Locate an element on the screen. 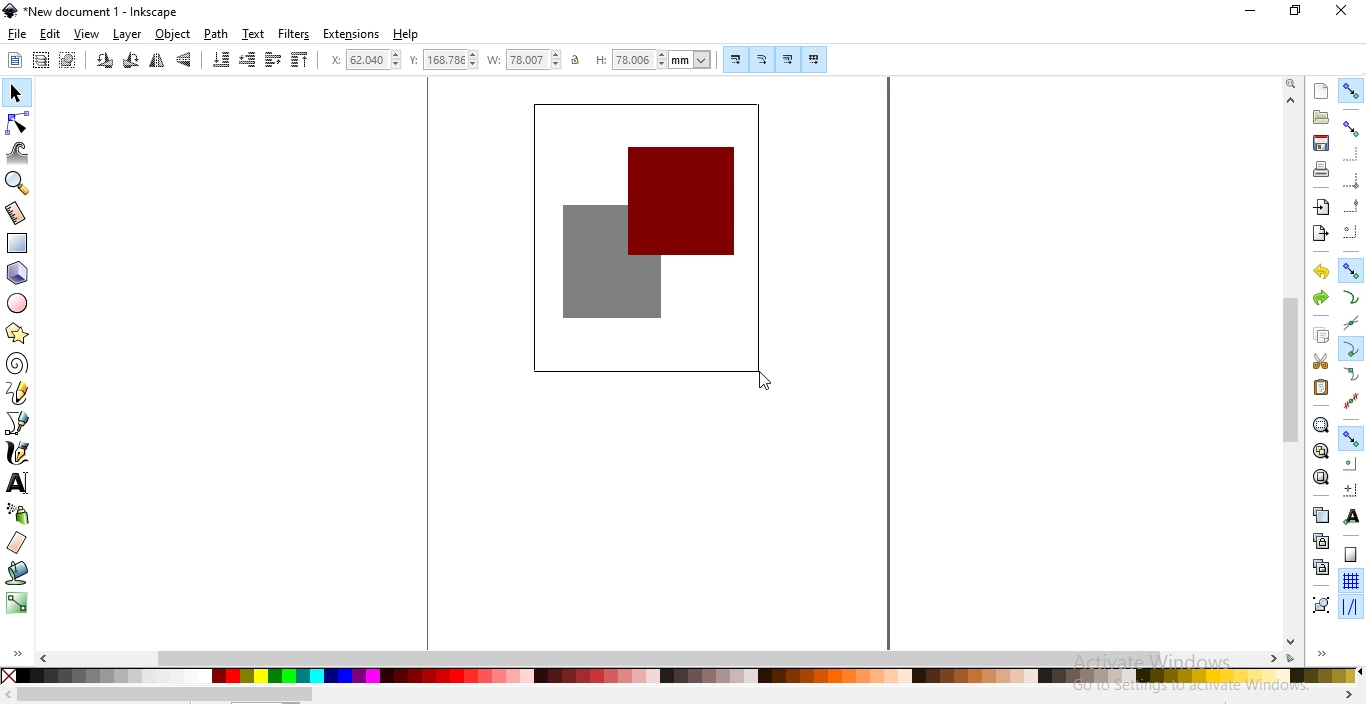 Image resolution: width=1366 pixels, height=704 pixels. cursor is located at coordinates (762, 386).